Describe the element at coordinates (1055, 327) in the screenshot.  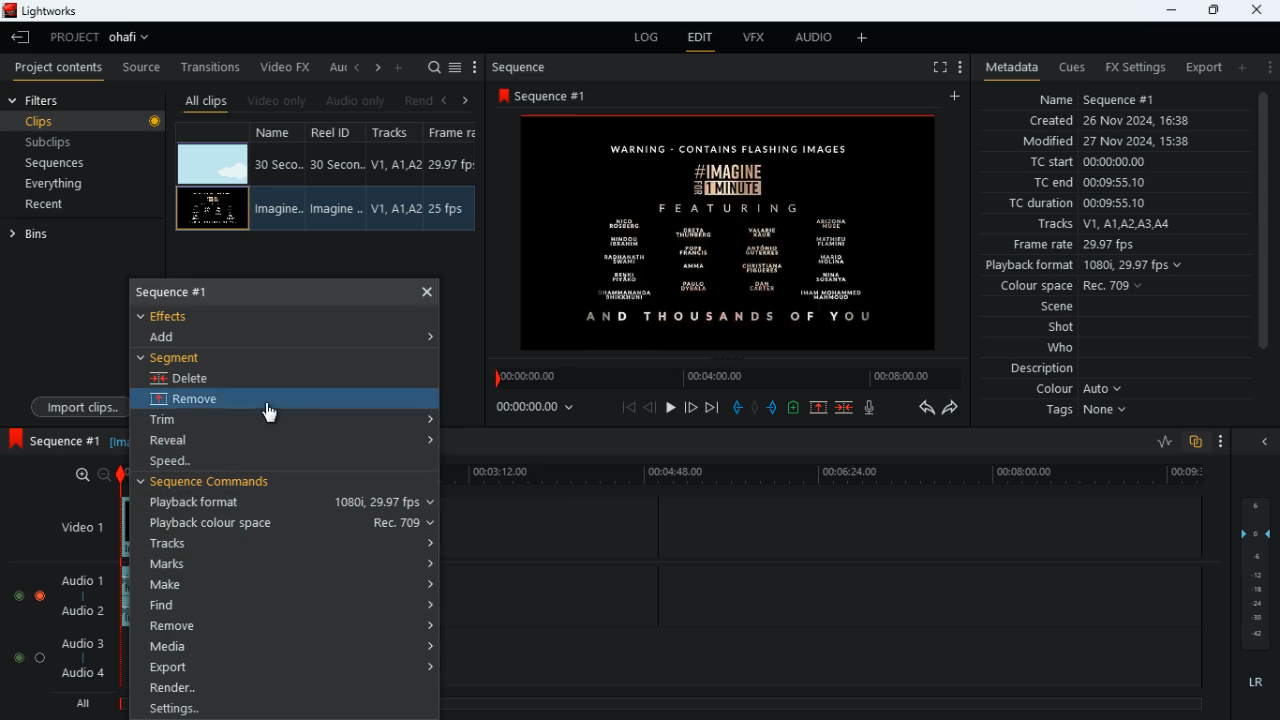
I see `shot` at that location.